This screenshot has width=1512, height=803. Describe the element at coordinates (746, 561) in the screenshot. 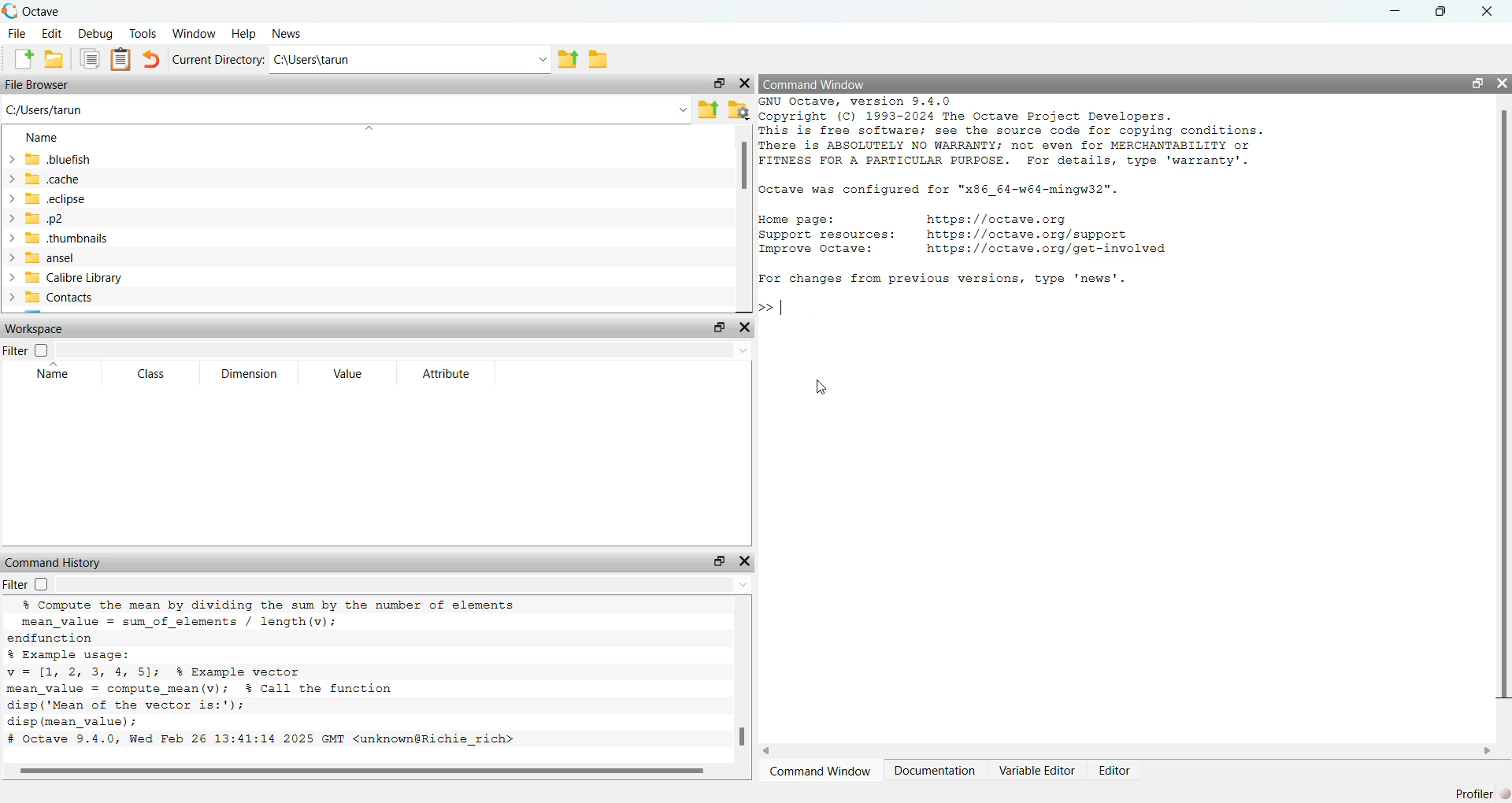

I see `close` at that location.